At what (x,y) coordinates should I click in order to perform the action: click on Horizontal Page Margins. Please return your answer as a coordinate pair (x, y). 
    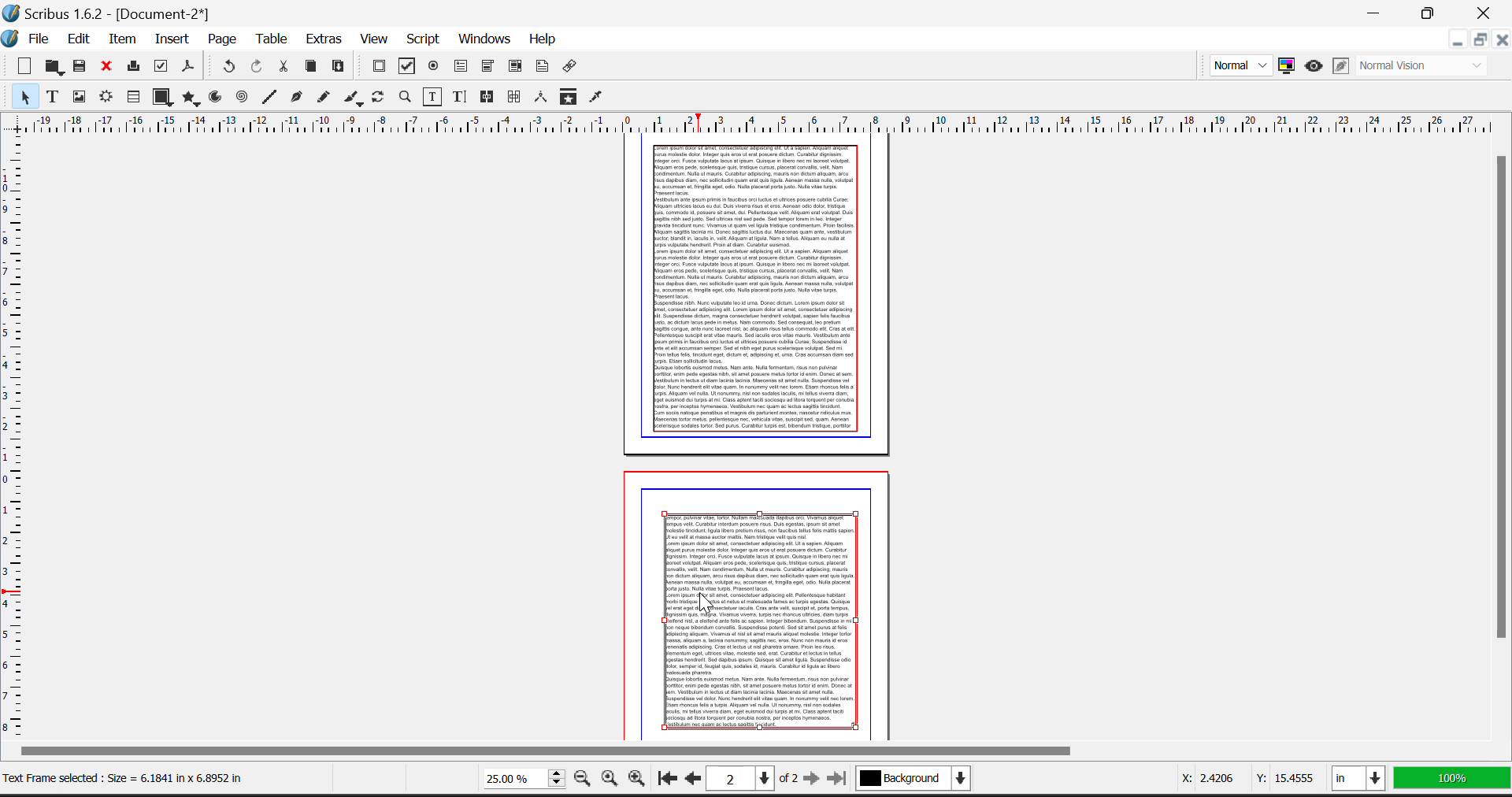
    Looking at the image, I should click on (14, 436).